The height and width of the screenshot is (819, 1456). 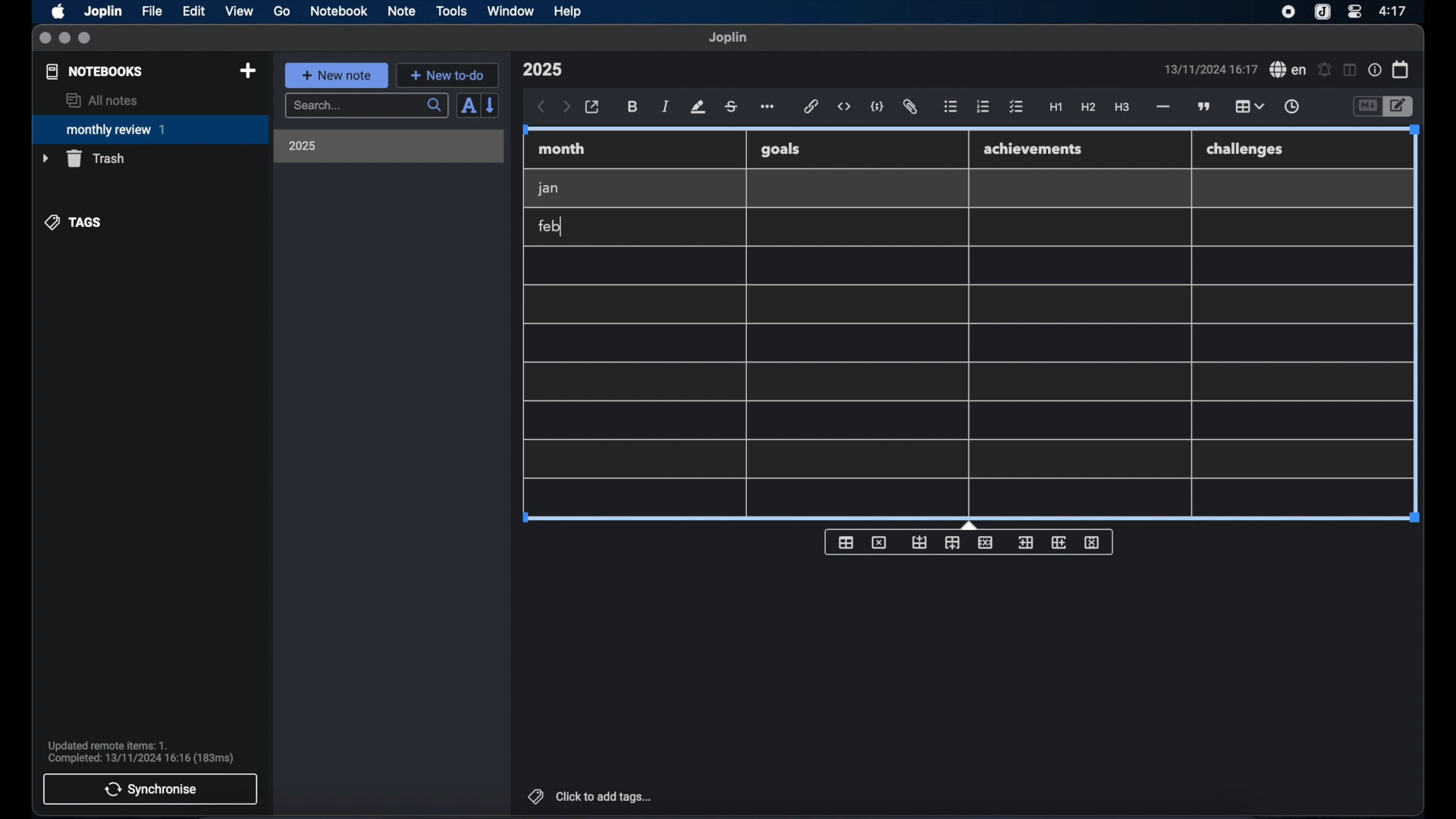 I want to click on jan, so click(x=548, y=189).